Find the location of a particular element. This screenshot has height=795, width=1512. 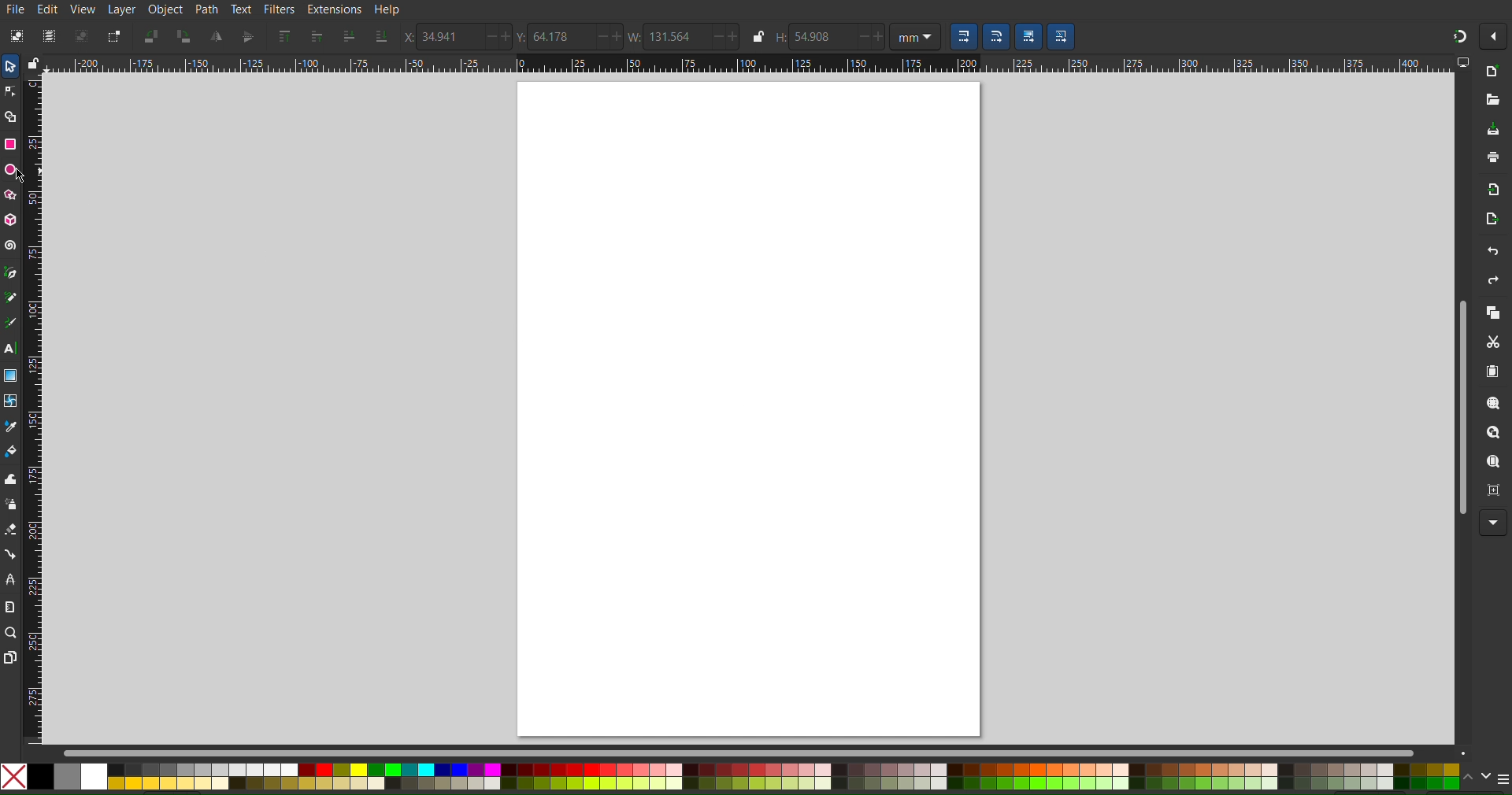

64 is located at coordinates (558, 36).